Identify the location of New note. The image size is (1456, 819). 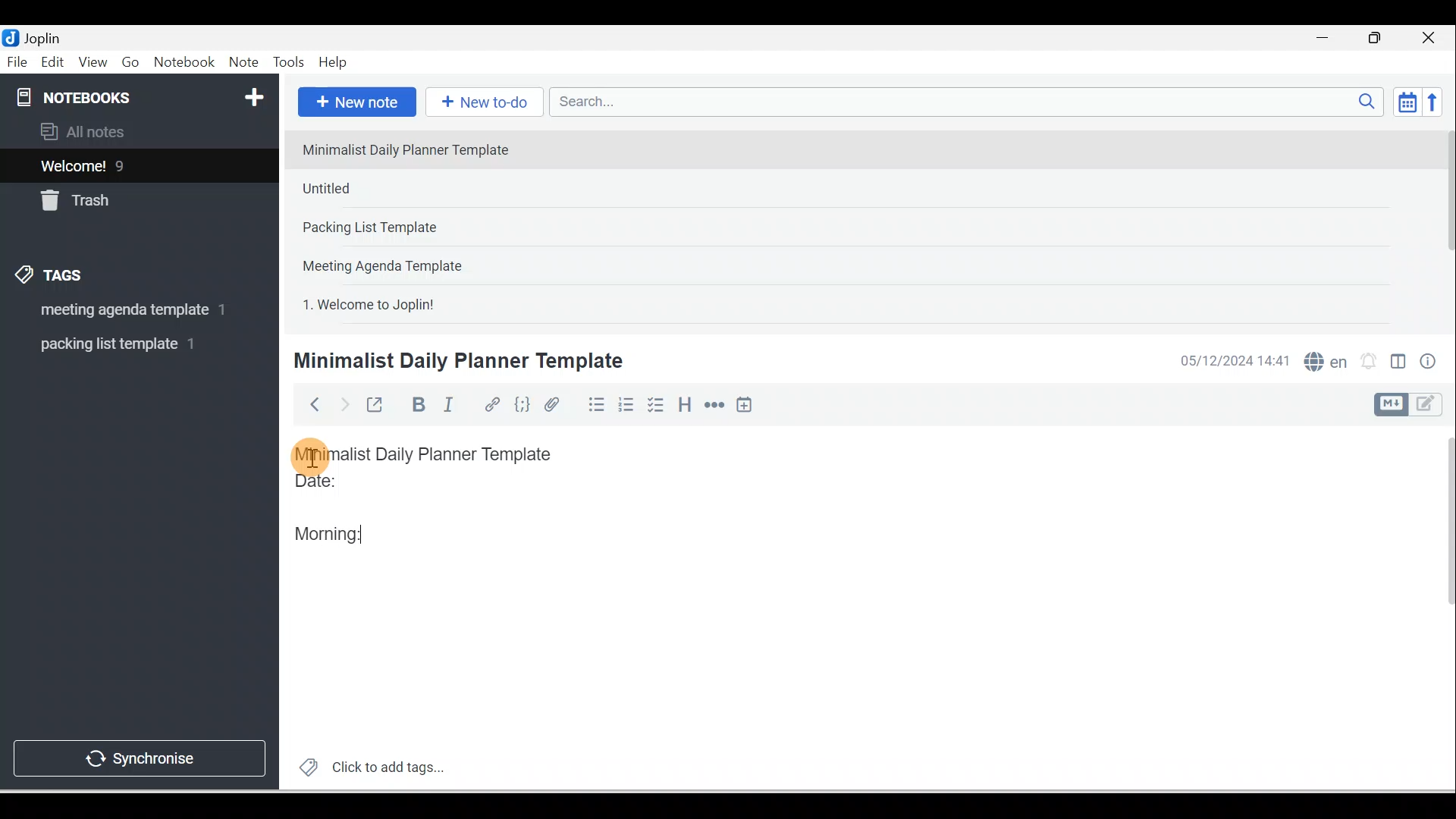
(354, 103).